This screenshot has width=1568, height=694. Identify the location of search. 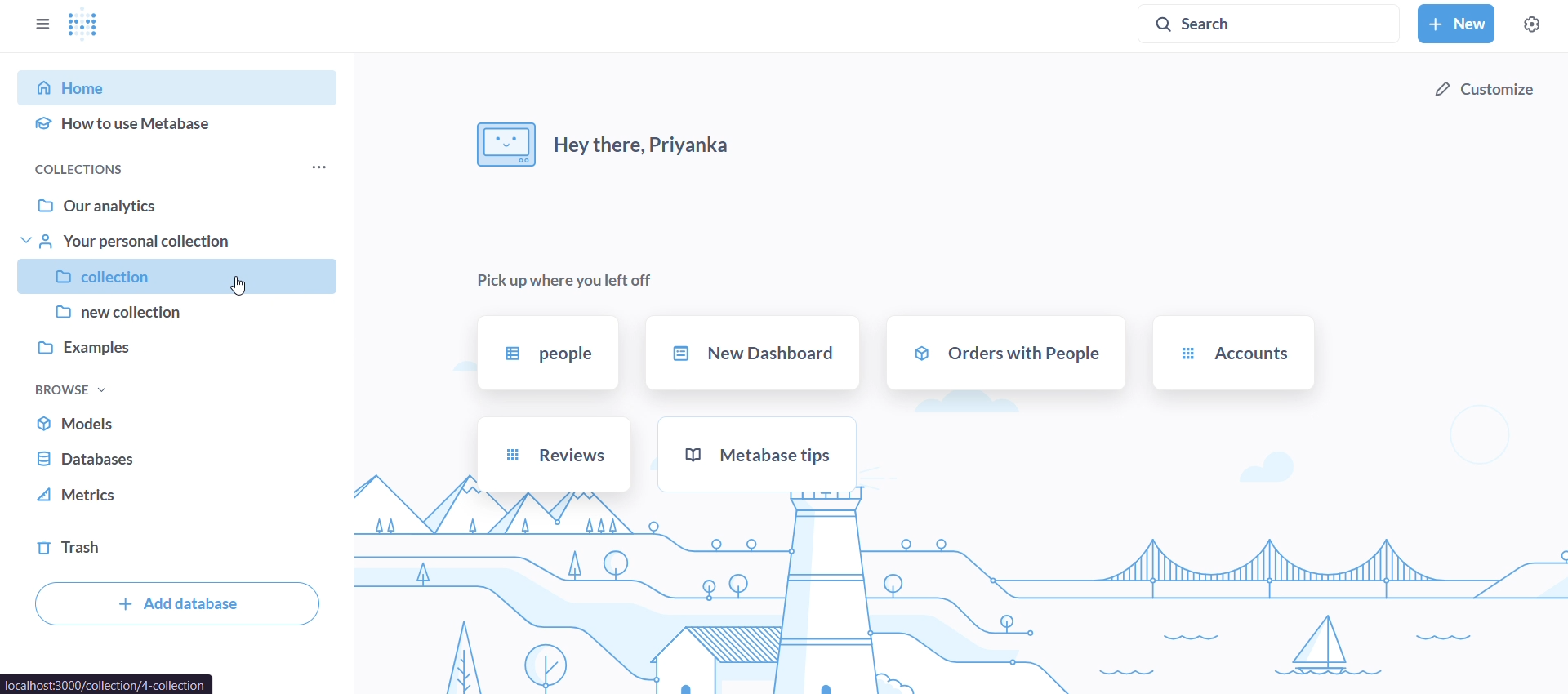
(1272, 22).